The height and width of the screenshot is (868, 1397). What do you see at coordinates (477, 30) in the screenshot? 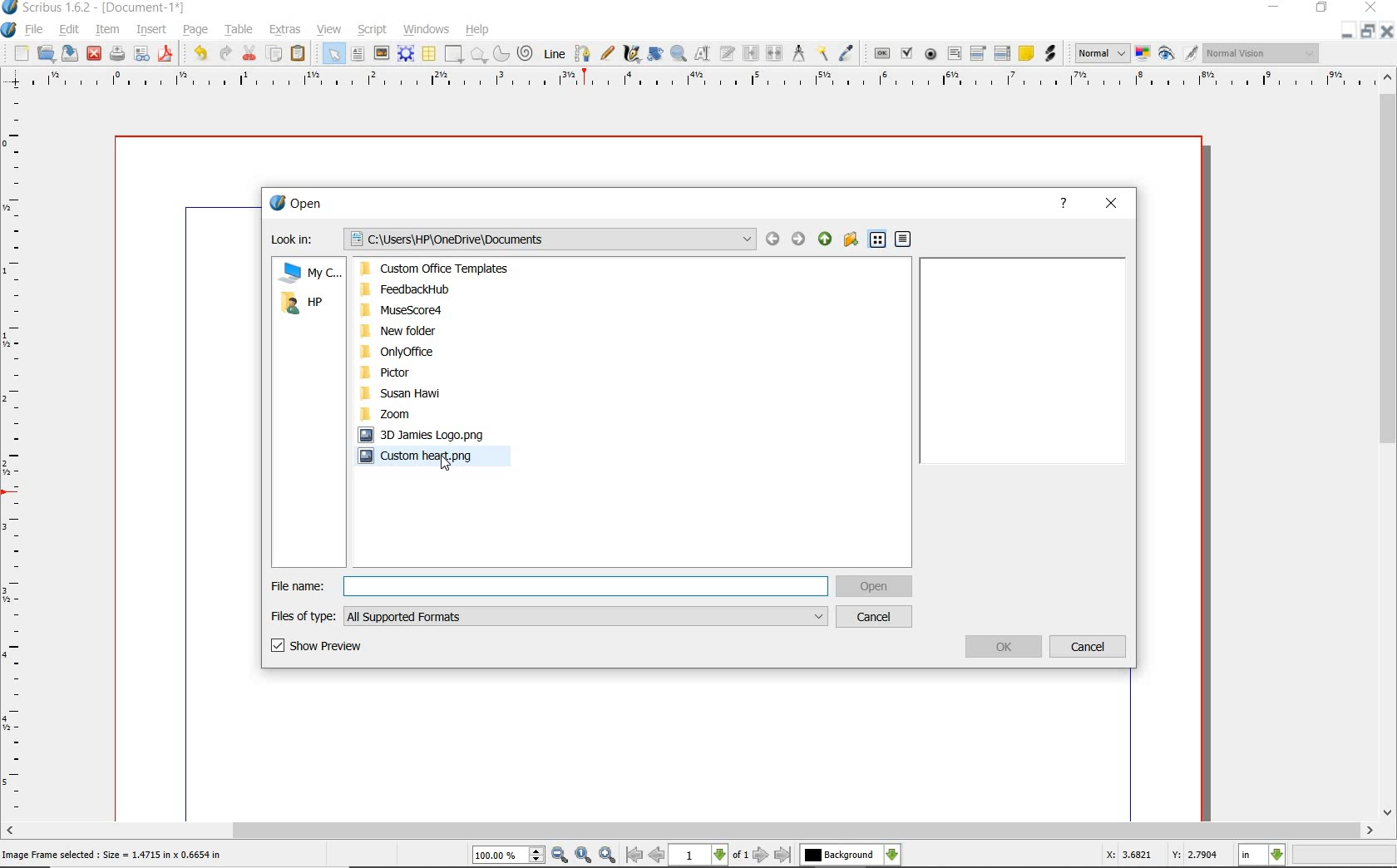
I see `help` at bounding box center [477, 30].